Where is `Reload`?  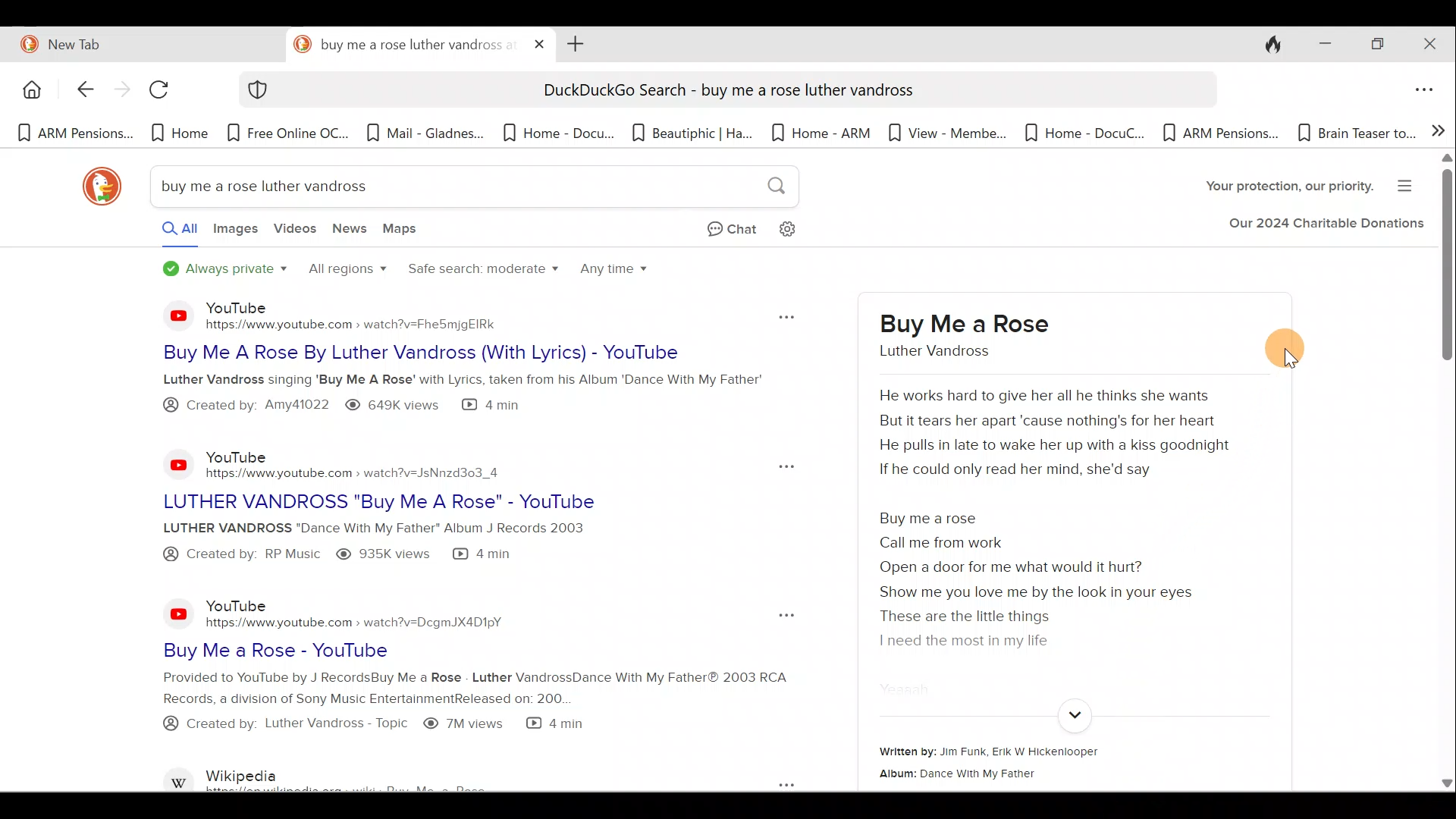 Reload is located at coordinates (166, 95).